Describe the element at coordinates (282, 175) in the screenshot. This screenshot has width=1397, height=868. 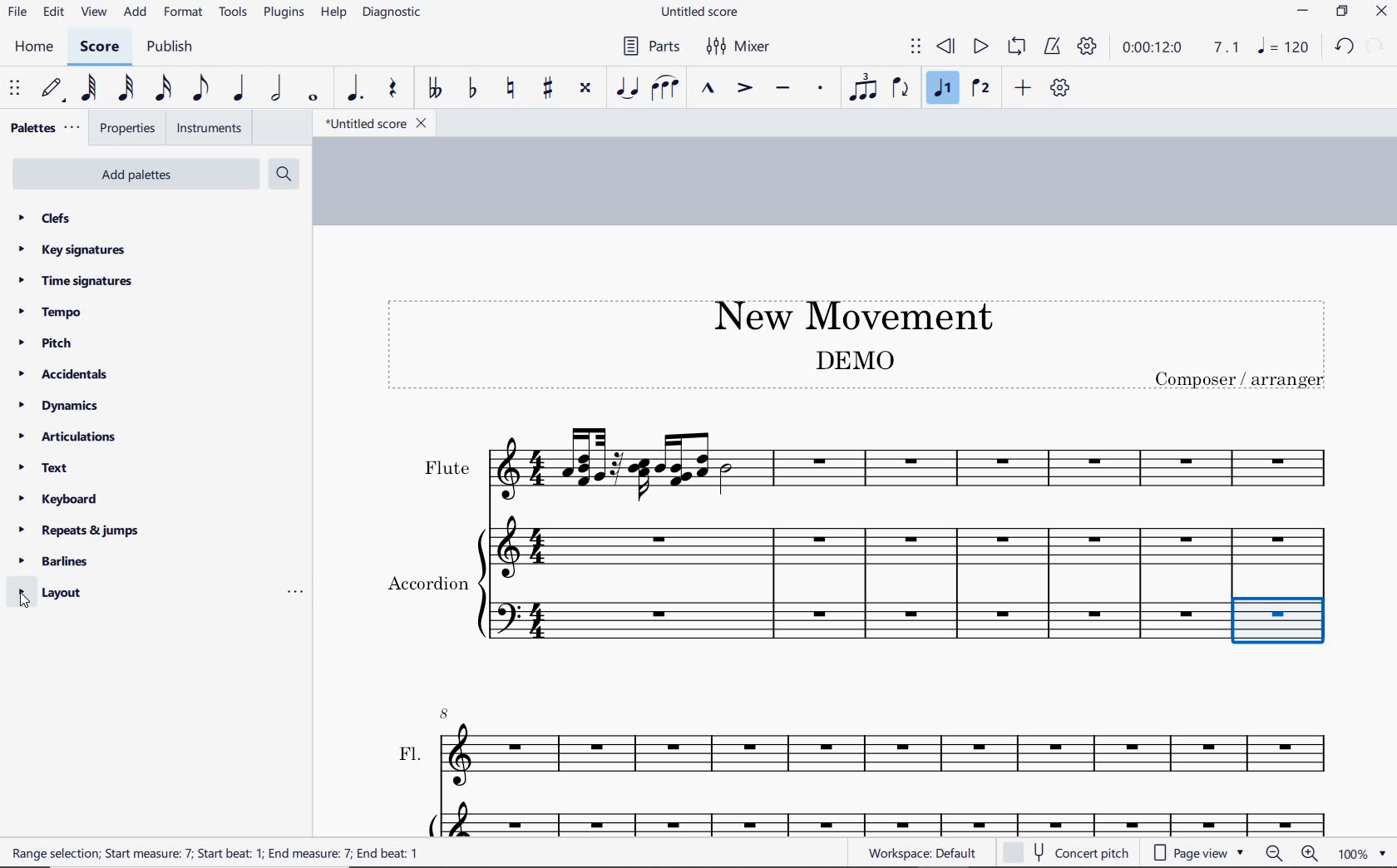
I see `search palettes` at that location.